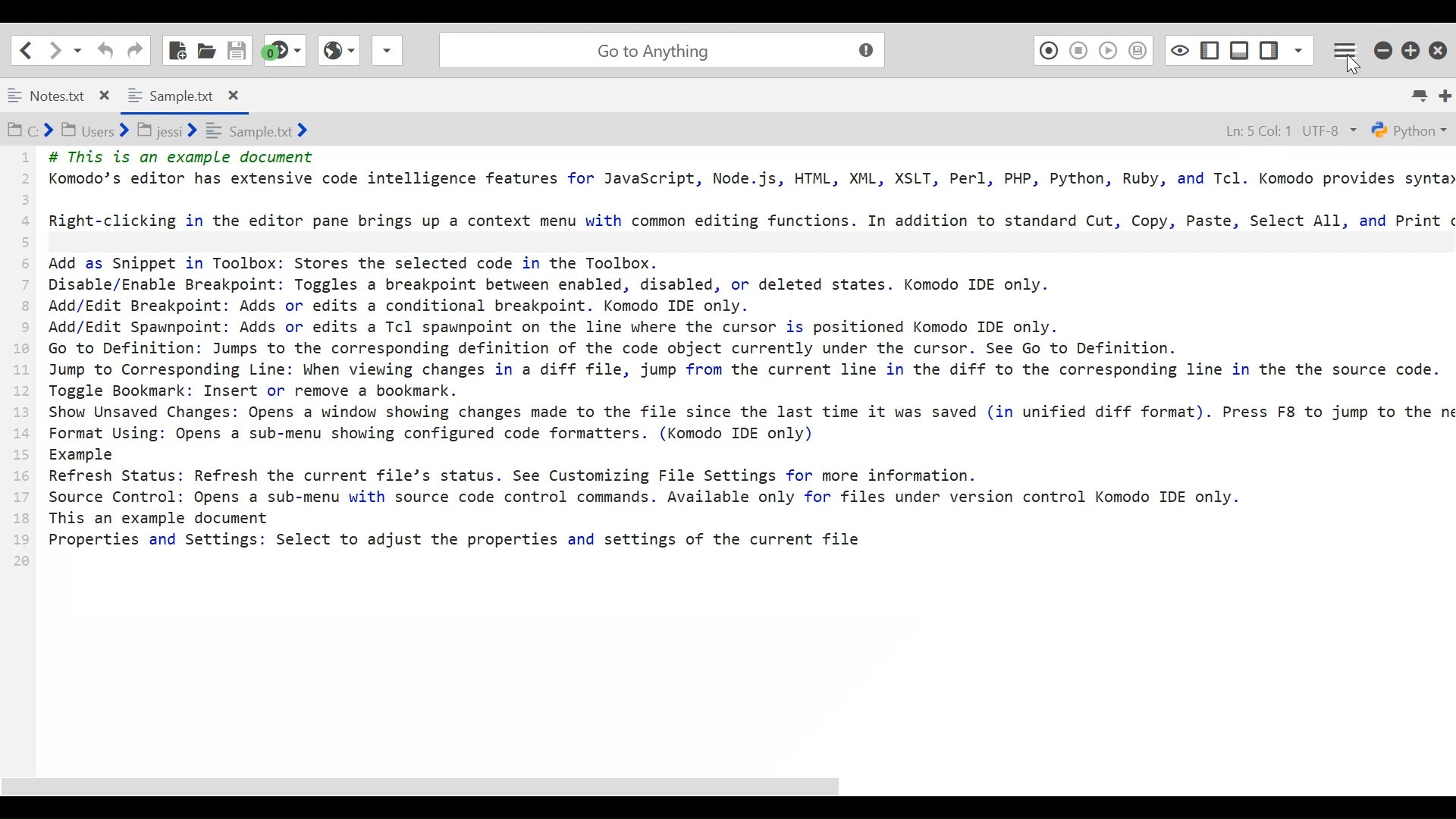 The image size is (1456, 819). I want to click on Close, so click(1439, 51).